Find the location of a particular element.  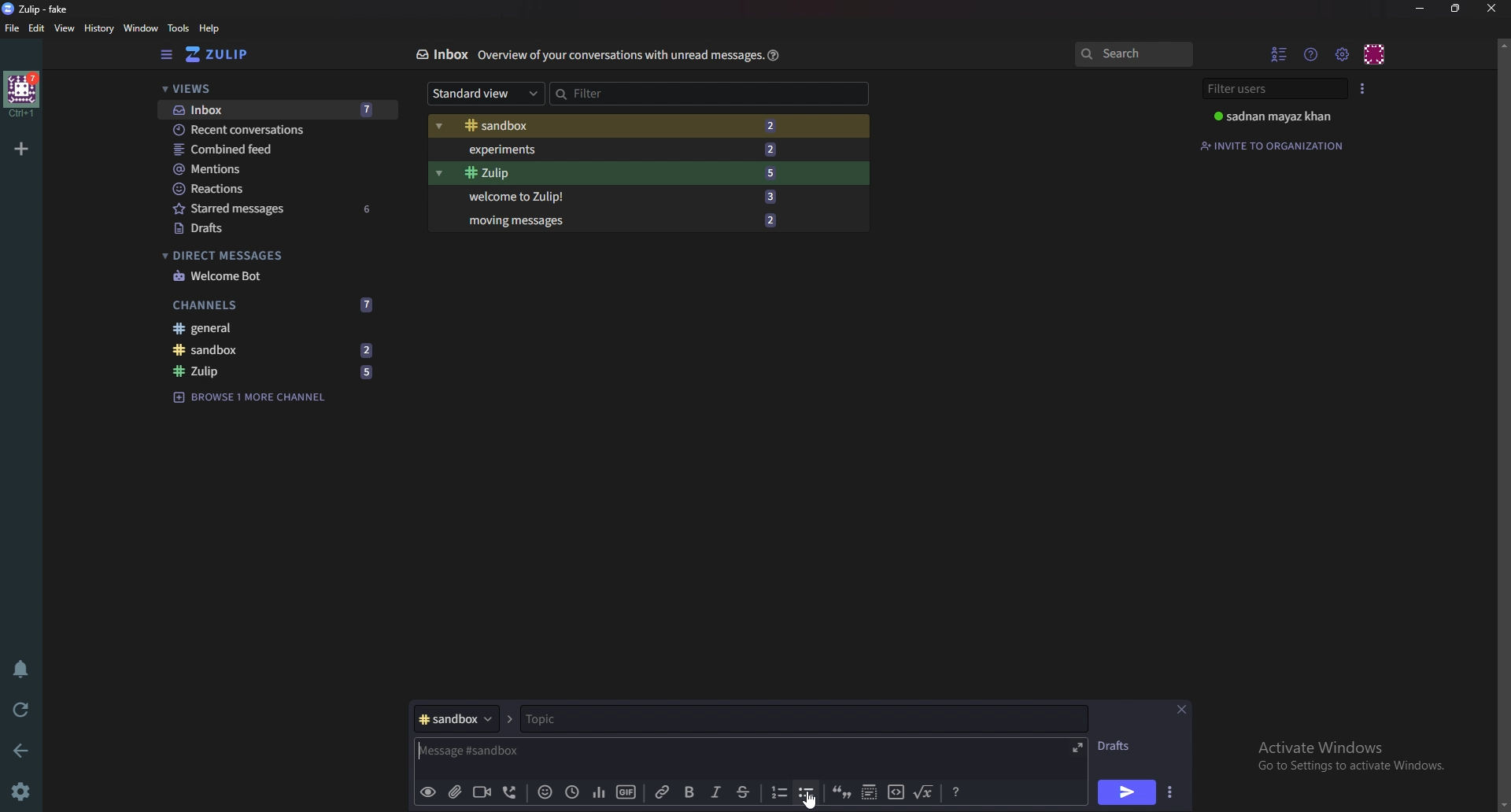

Enable do not disturb is located at coordinates (24, 666).